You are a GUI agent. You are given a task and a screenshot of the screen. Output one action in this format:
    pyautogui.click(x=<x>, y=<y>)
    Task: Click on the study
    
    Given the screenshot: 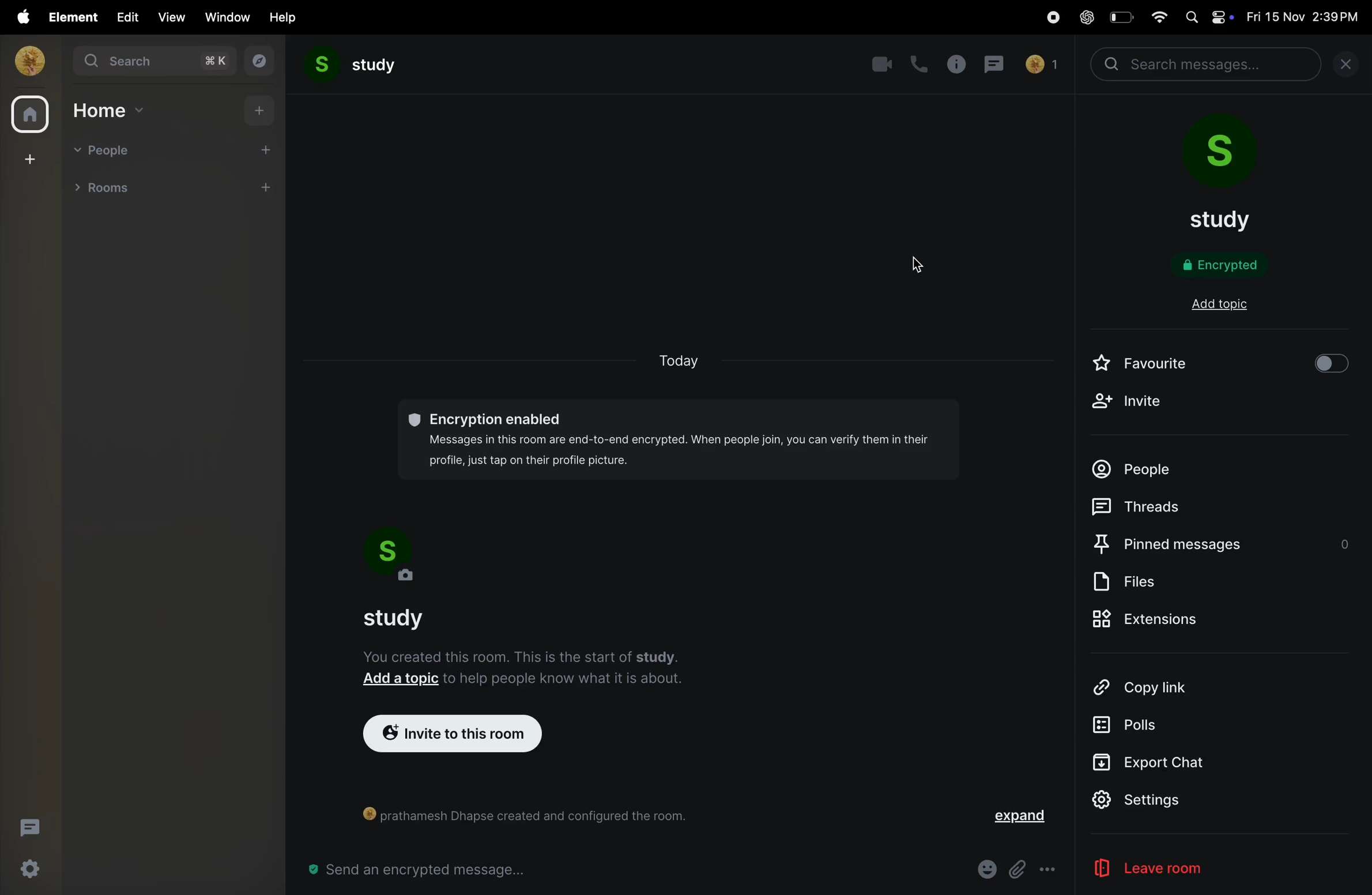 What is the action you would take?
    pyautogui.click(x=391, y=620)
    